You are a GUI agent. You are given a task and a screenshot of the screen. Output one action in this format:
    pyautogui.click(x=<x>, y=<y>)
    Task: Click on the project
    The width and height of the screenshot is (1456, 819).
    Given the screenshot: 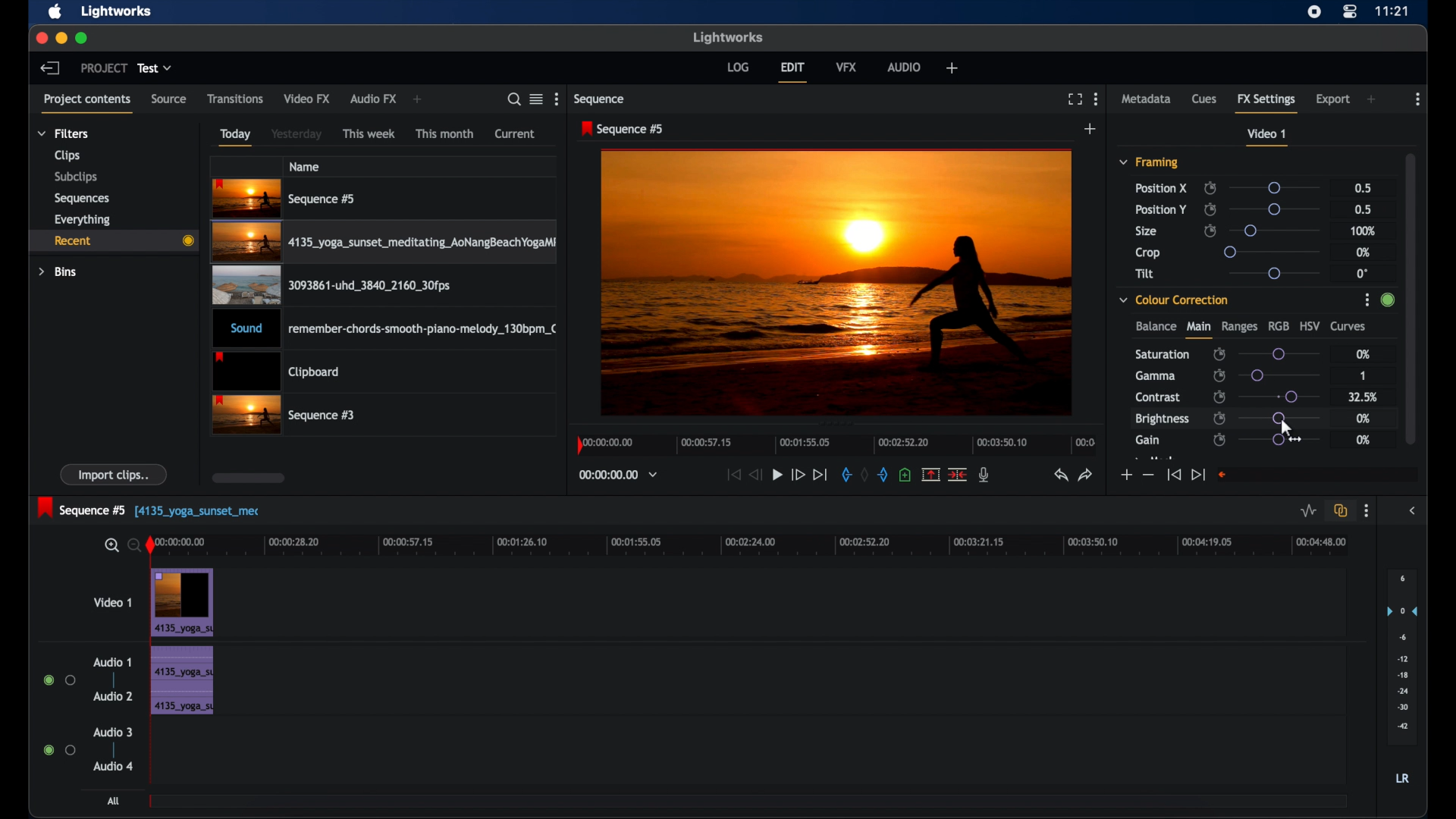 What is the action you would take?
    pyautogui.click(x=104, y=68)
    